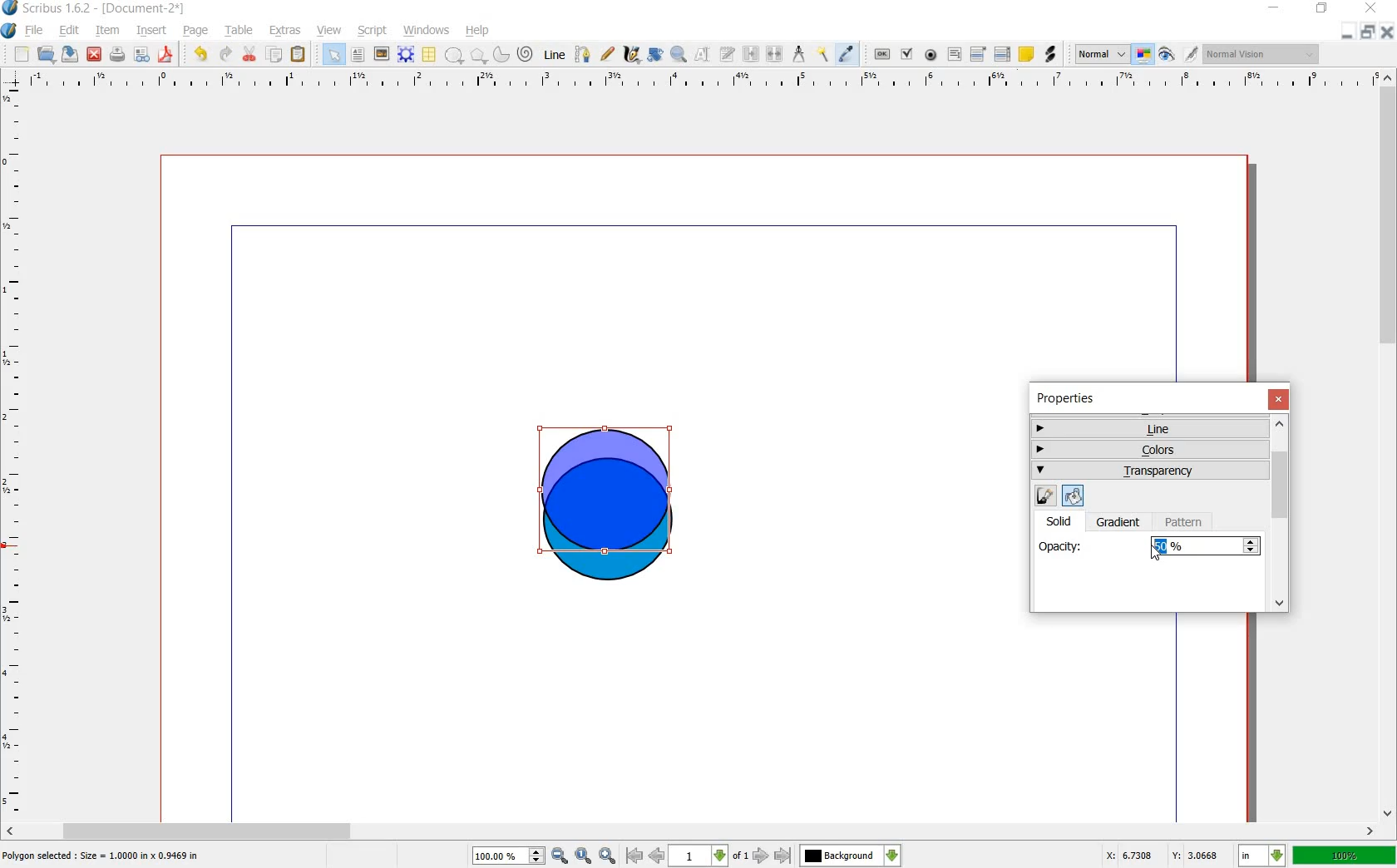  I want to click on zoom to, so click(584, 856).